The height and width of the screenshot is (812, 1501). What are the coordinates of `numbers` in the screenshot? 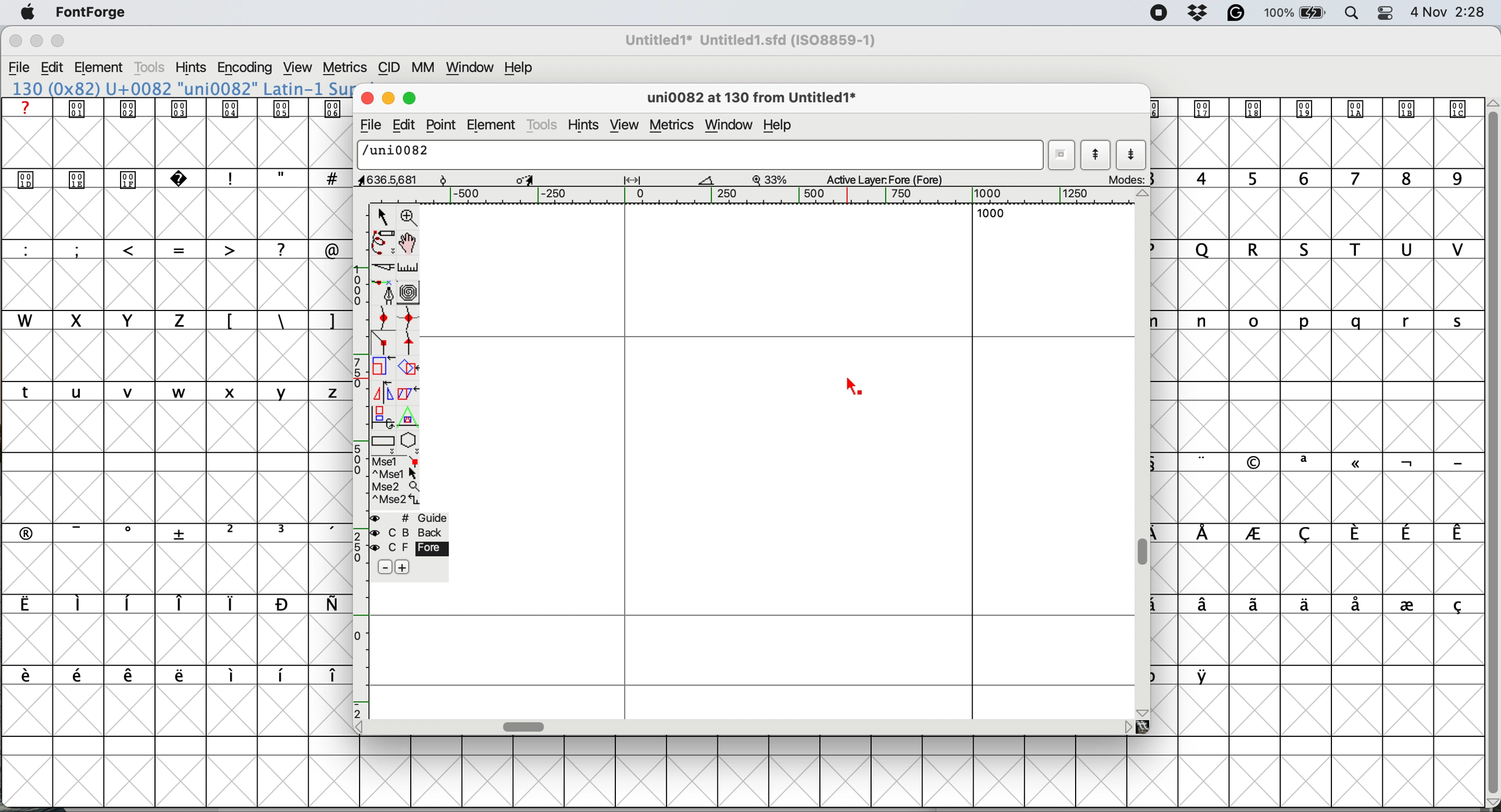 It's located at (1320, 178).